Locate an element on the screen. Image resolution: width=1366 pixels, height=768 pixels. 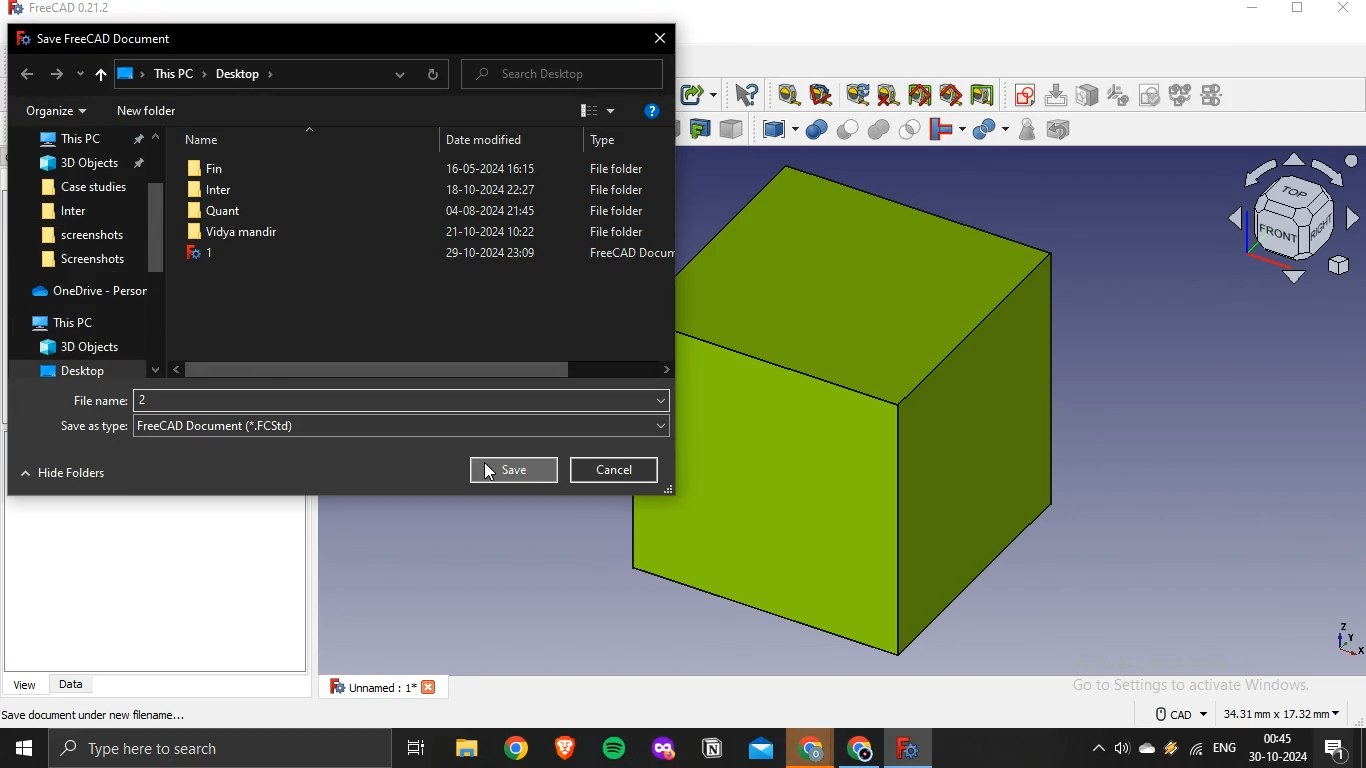
desktop is located at coordinates (75, 371).